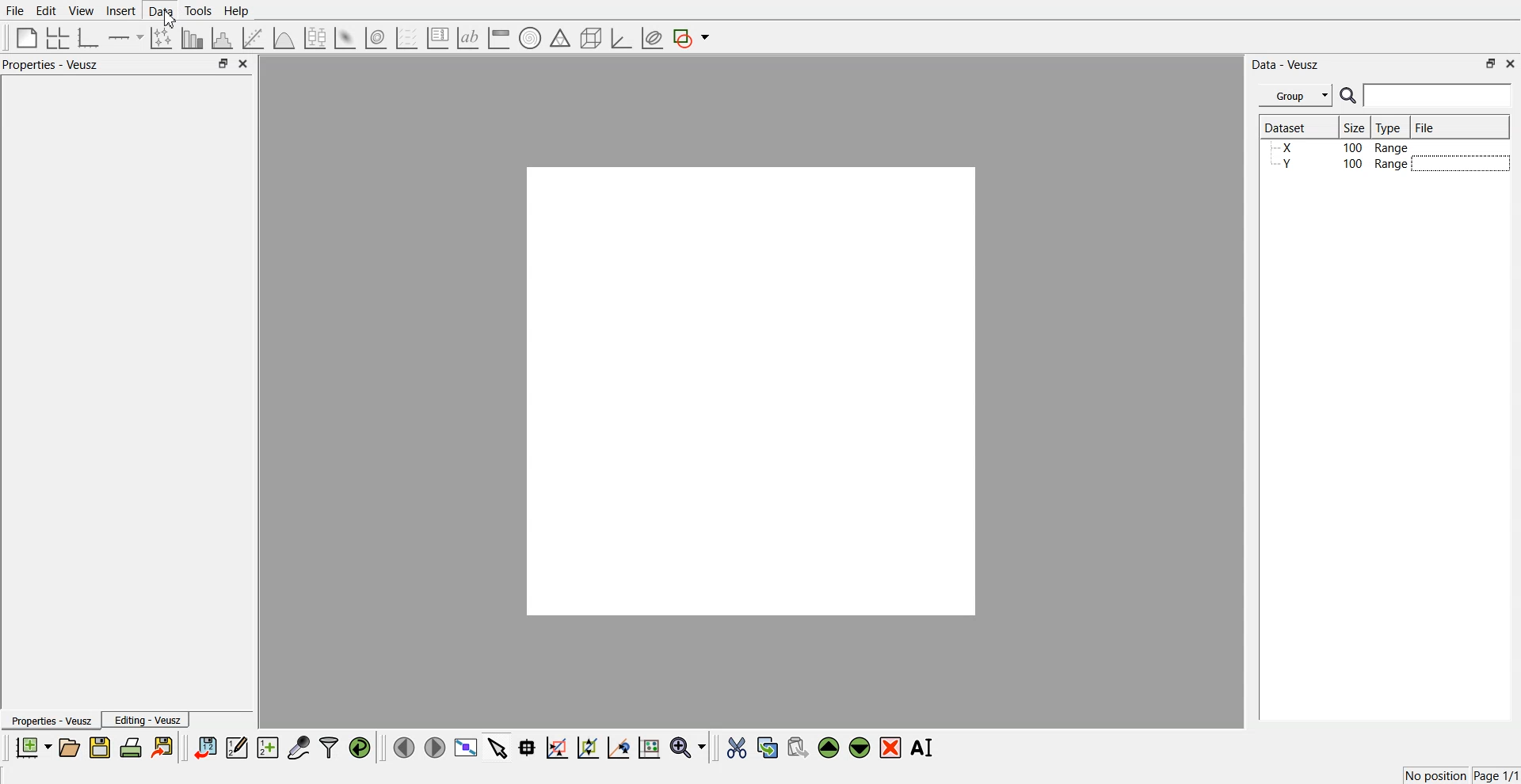 The image size is (1521, 784). What do you see at coordinates (51, 64) in the screenshot?
I see `Properties - Veusz` at bounding box center [51, 64].